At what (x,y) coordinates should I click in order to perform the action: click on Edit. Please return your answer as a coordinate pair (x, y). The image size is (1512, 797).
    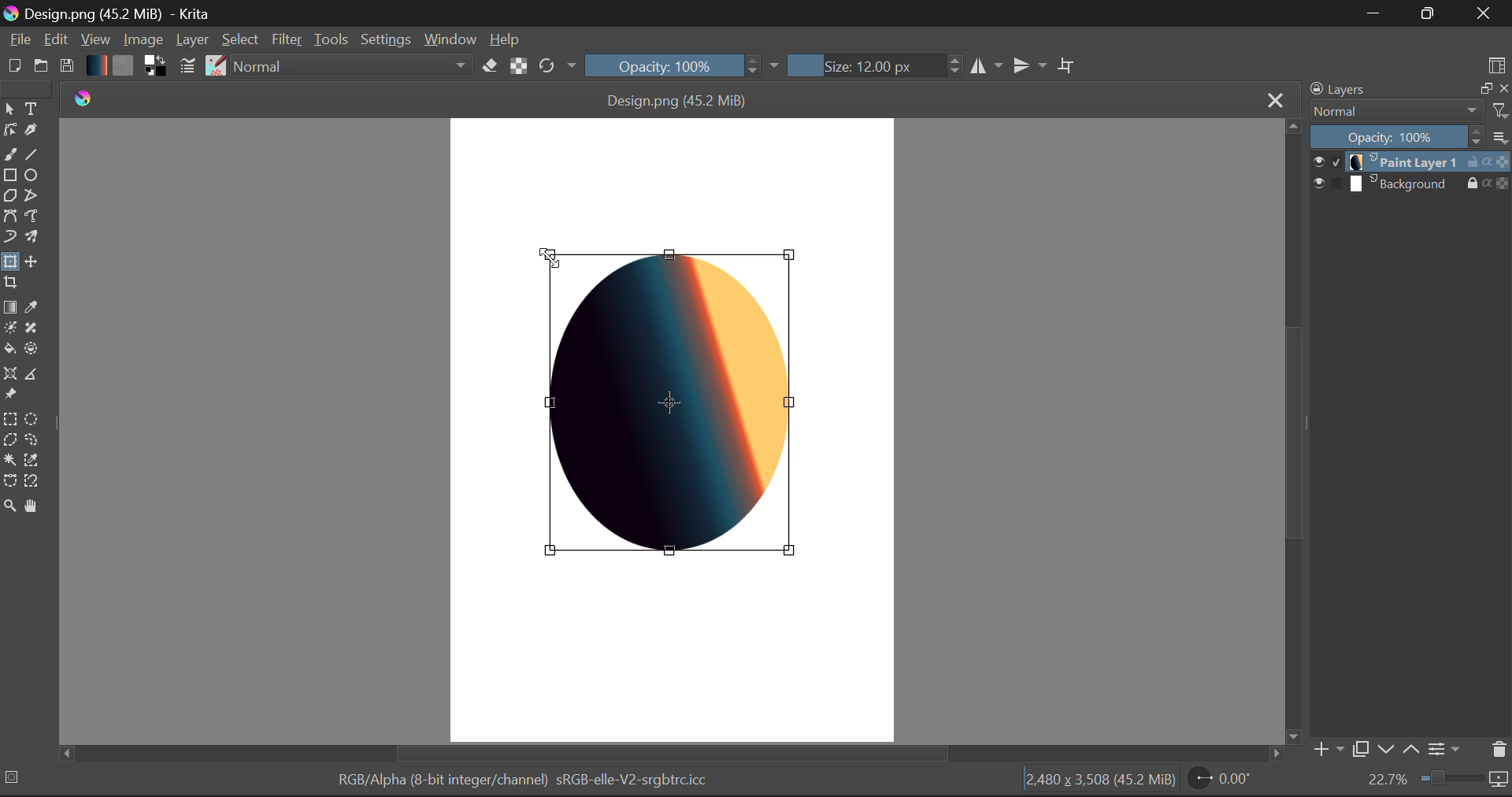
    Looking at the image, I should click on (55, 39).